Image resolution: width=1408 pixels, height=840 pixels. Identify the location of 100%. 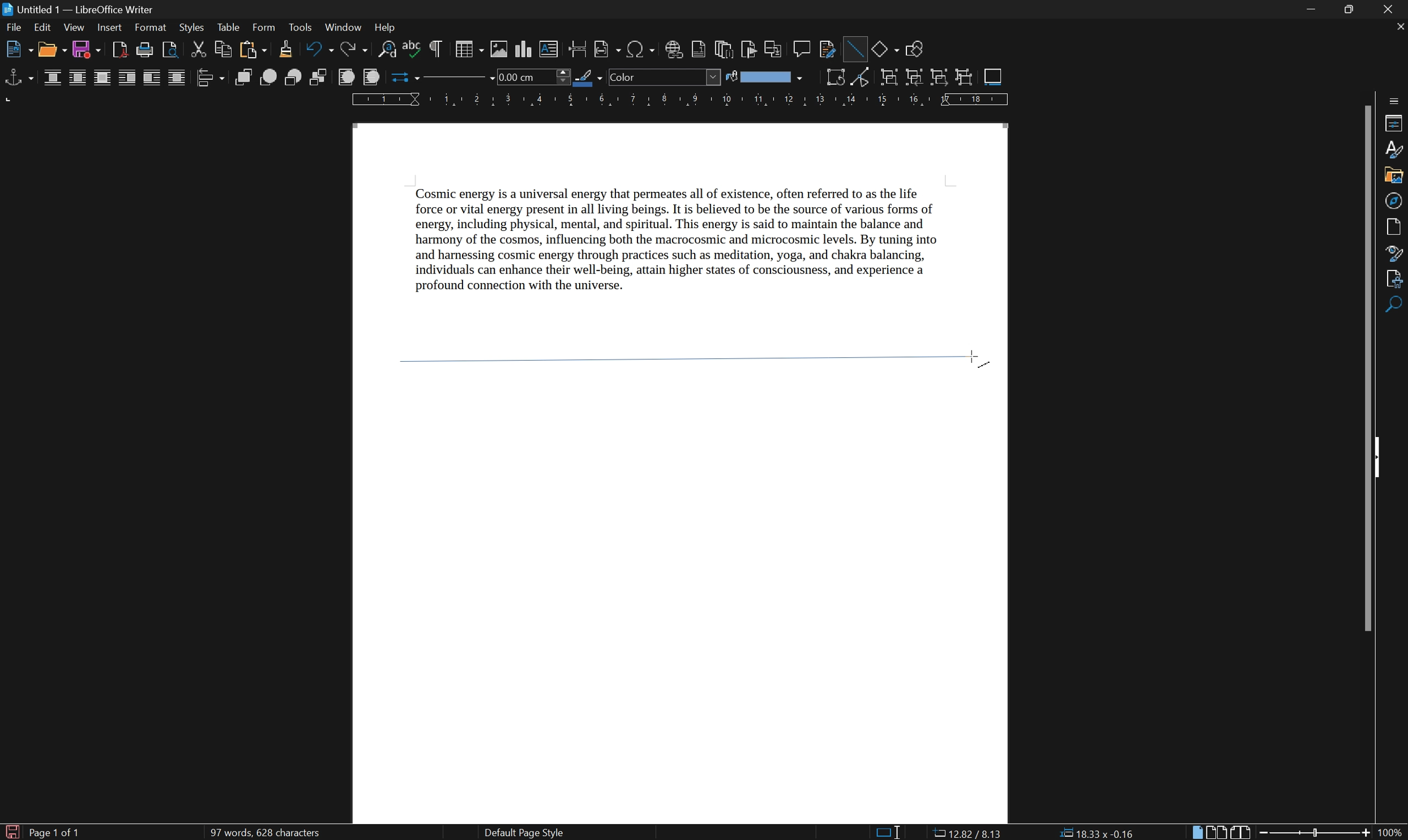
(1391, 833).